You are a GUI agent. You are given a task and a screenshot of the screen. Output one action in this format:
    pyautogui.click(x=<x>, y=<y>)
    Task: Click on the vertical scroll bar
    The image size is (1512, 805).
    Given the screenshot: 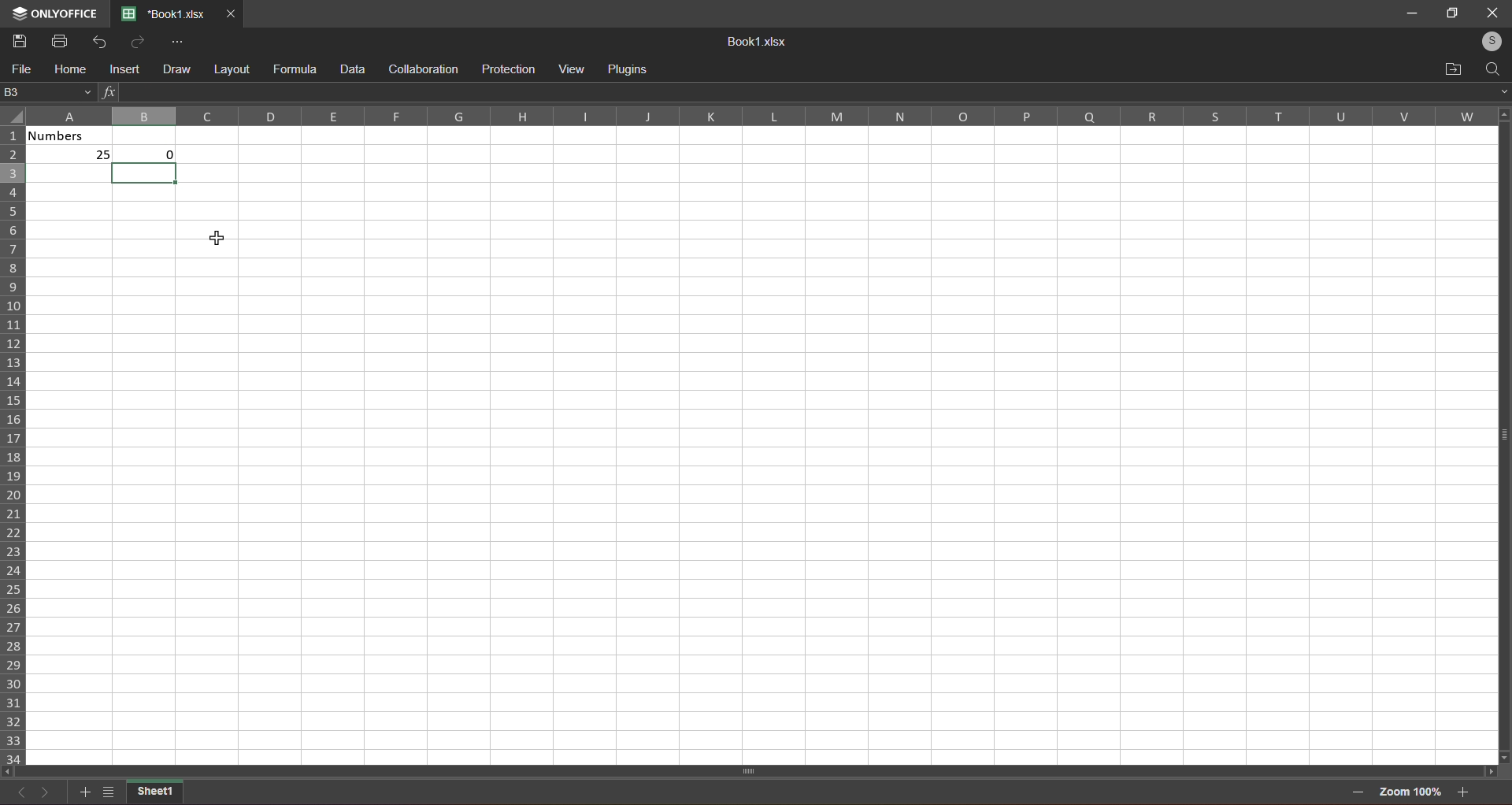 What is the action you would take?
    pyautogui.click(x=1501, y=446)
    